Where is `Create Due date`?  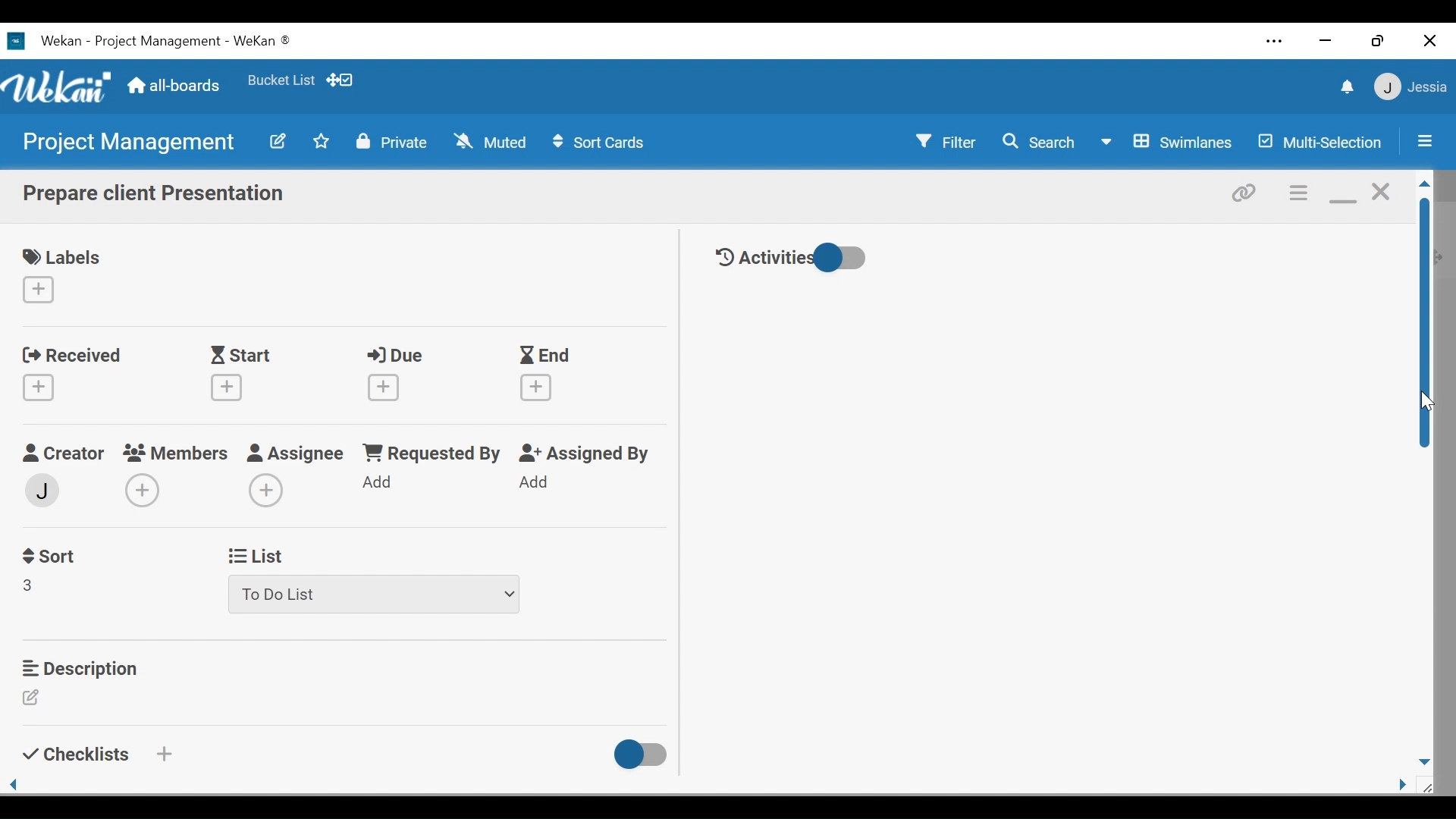
Create Due date is located at coordinates (384, 388).